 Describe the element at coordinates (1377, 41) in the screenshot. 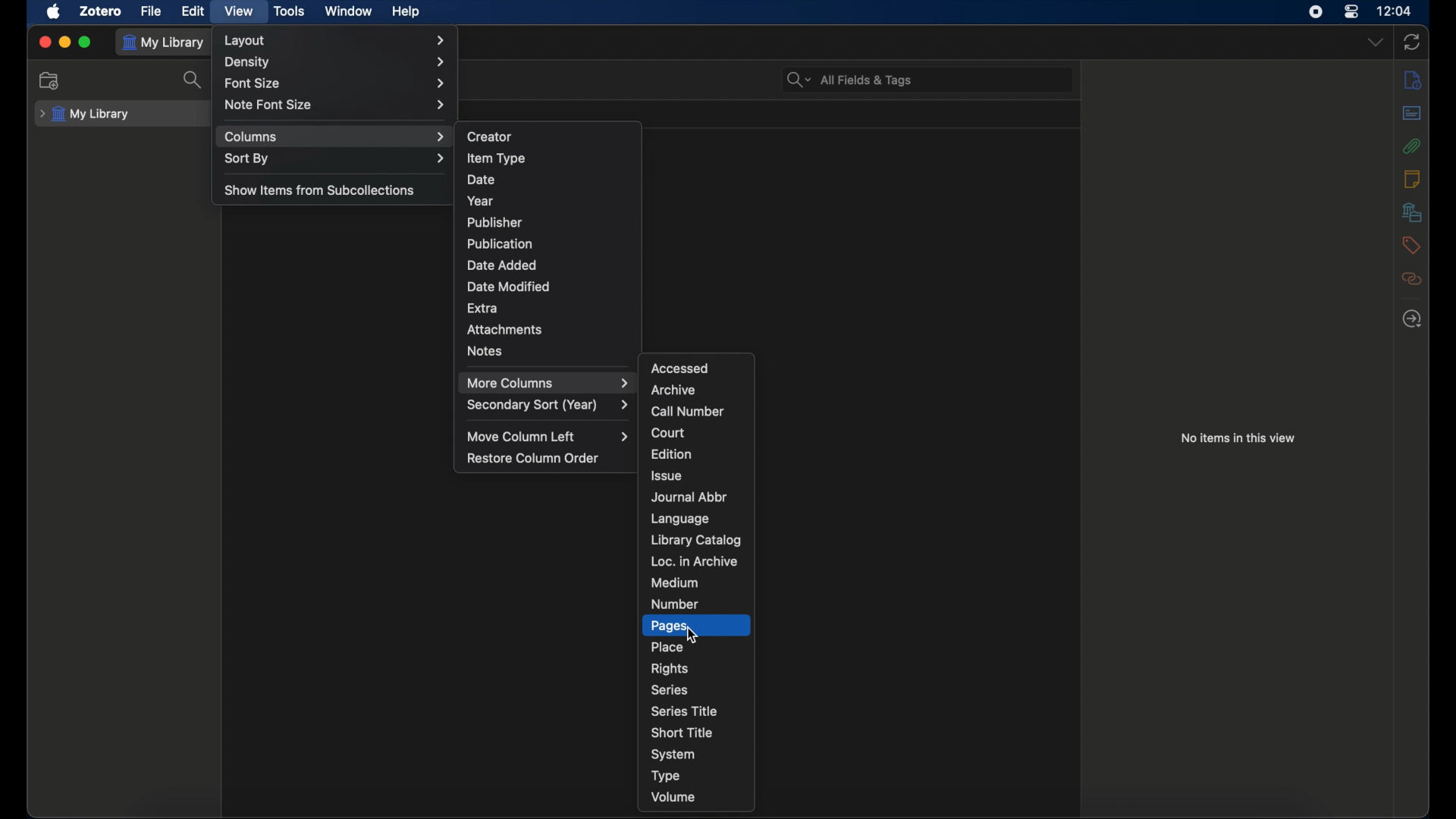

I see `dropdown` at that location.